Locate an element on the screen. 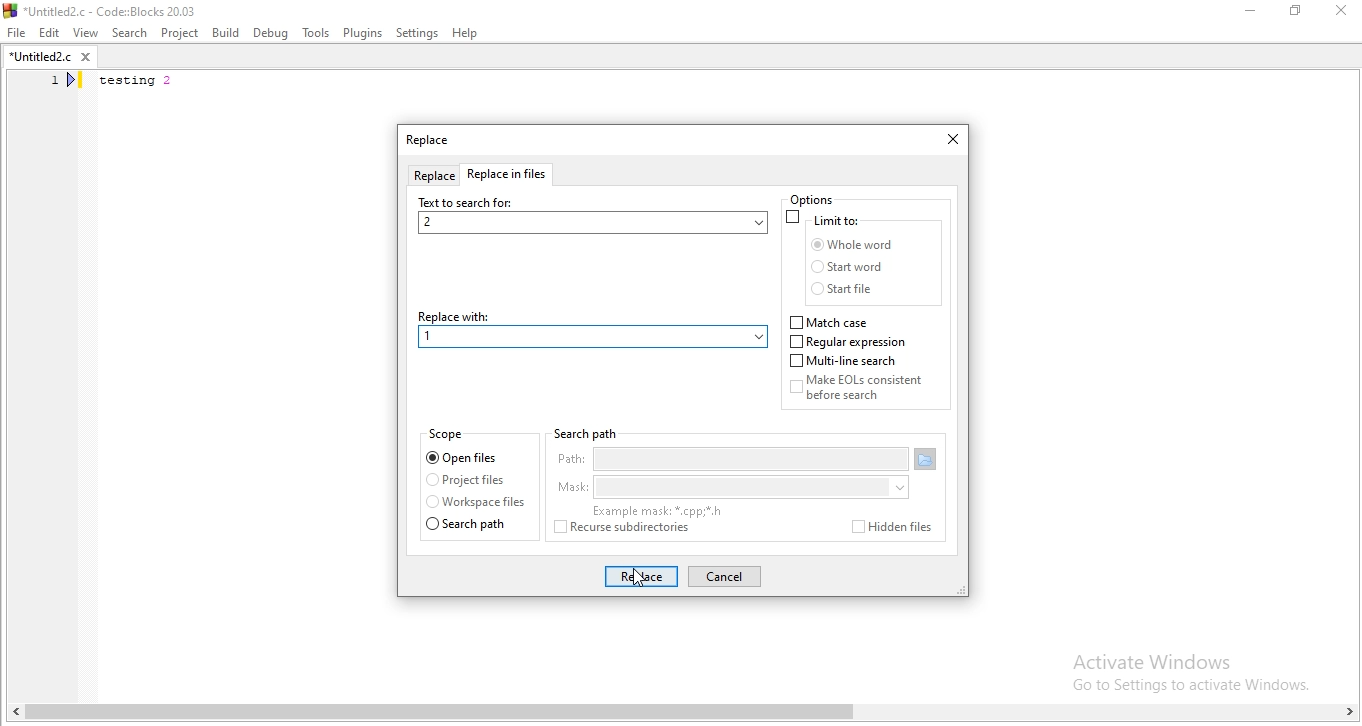 The width and height of the screenshot is (1362, 726). limit to is located at coordinates (826, 219).